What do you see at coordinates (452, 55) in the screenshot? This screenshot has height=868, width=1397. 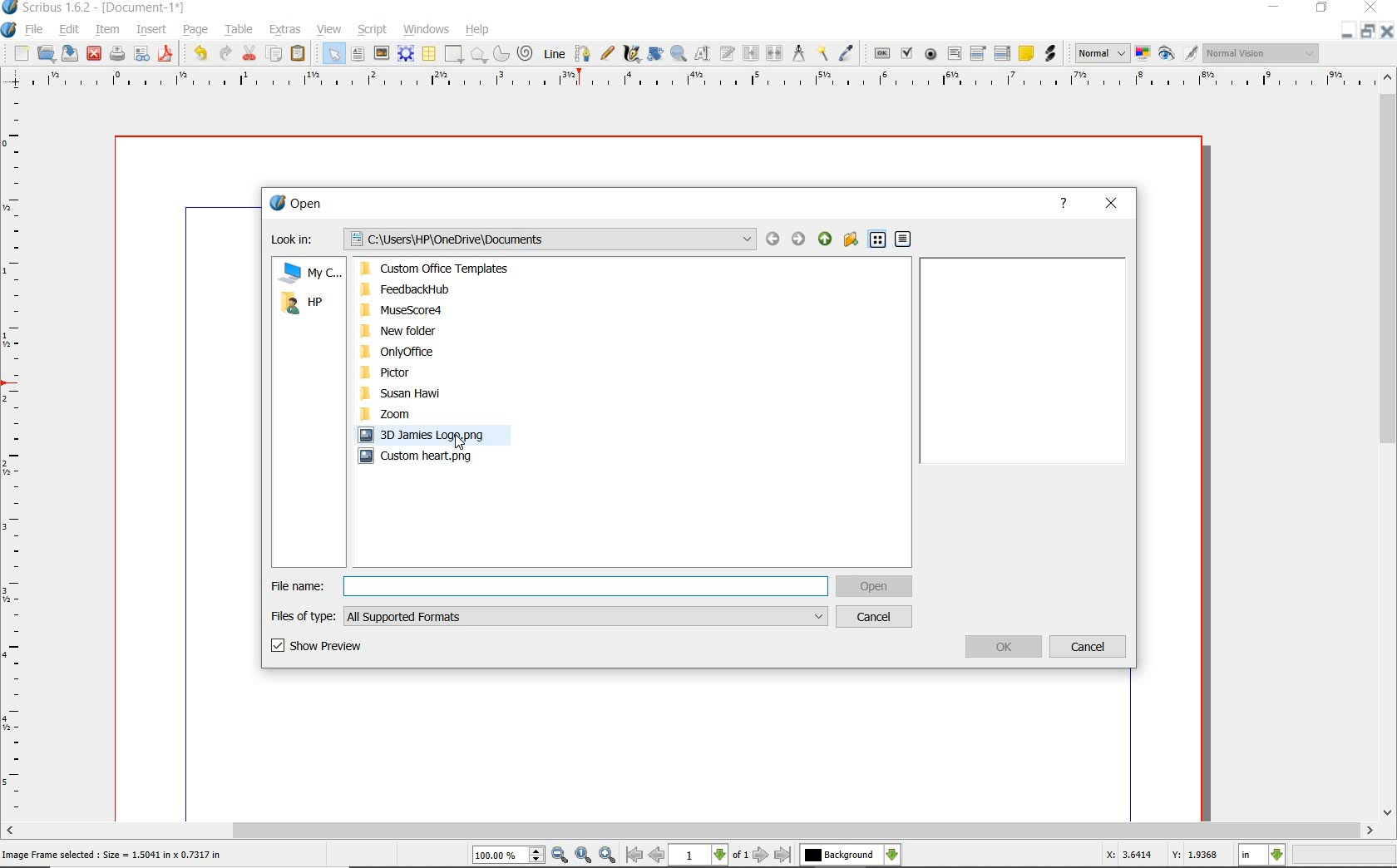 I see `shape` at bounding box center [452, 55].